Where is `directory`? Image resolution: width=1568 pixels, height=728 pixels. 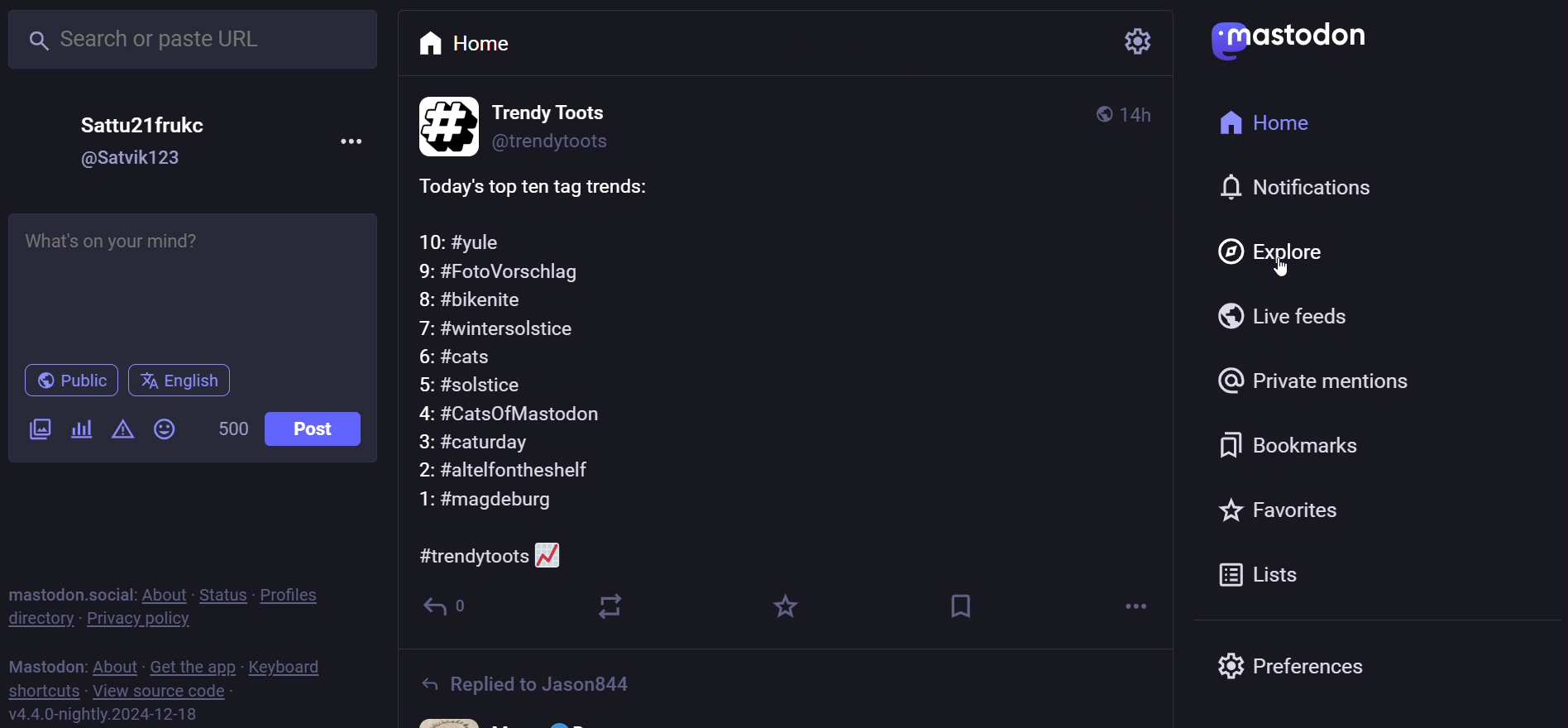 directory is located at coordinates (36, 620).